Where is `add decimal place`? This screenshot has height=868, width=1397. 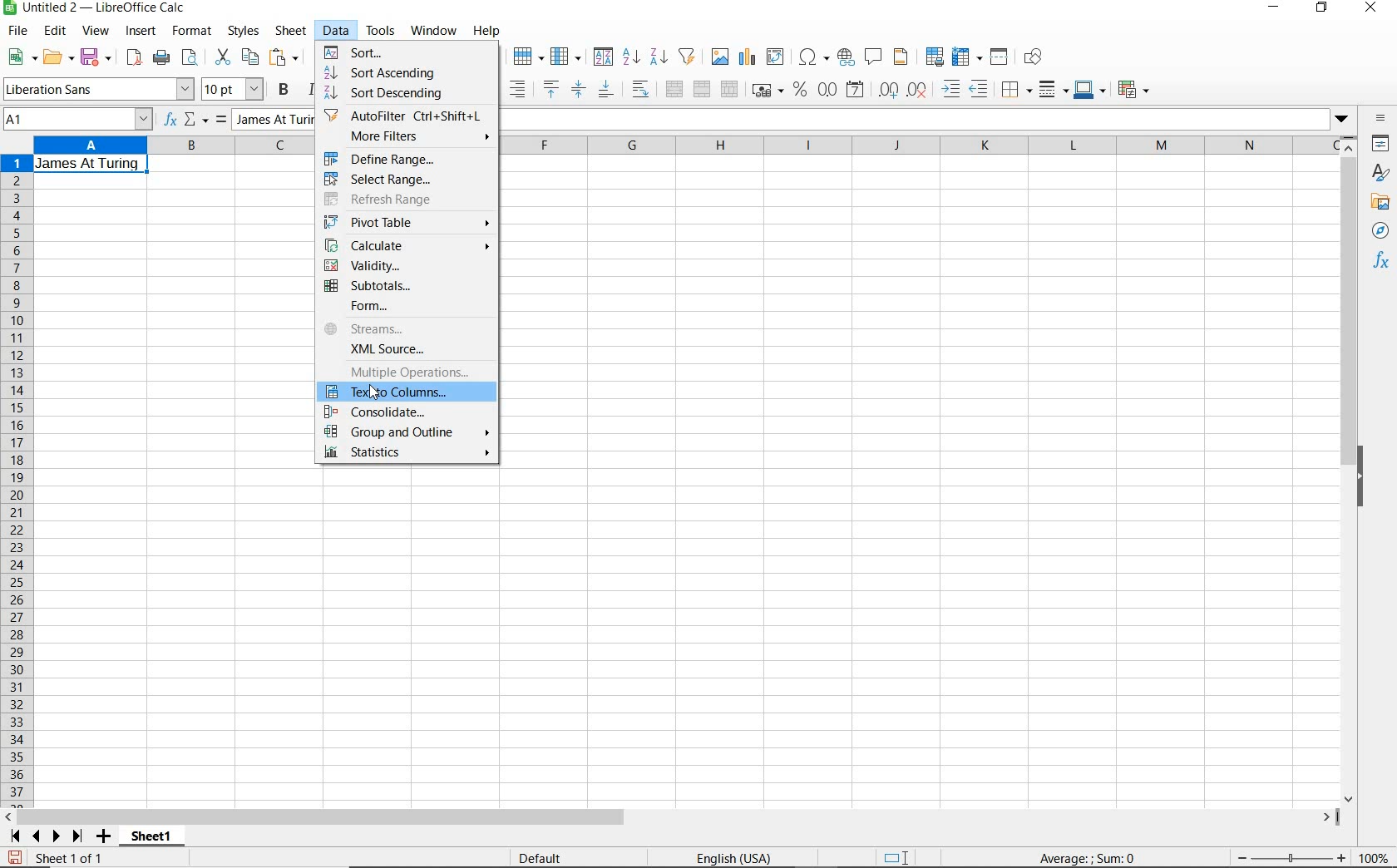
add decimal place is located at coordinates (892, 89).